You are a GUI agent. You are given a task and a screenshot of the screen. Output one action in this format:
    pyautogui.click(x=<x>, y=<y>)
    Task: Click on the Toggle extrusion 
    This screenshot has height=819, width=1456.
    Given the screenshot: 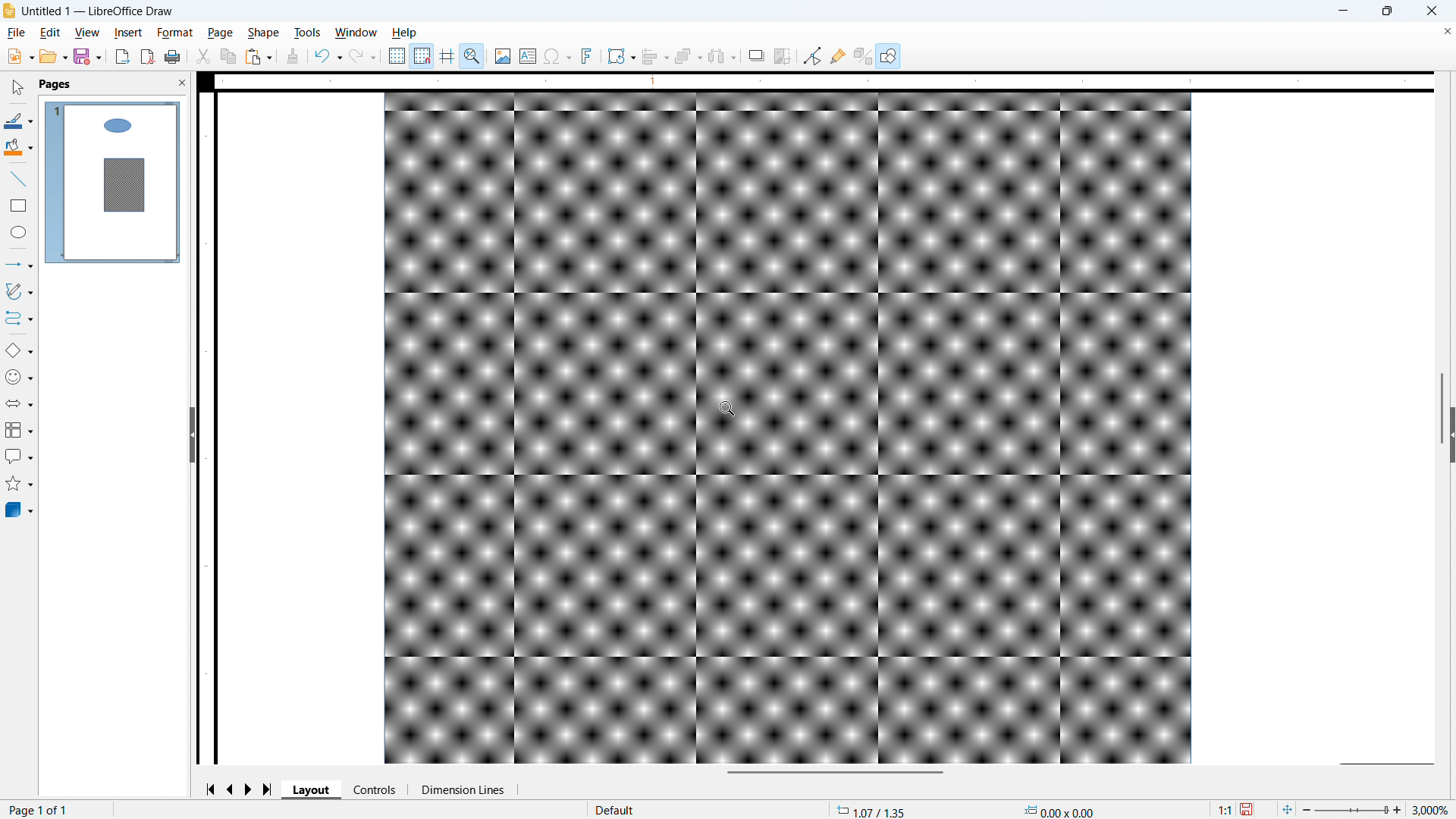 What is the action you would take?
    pyautogui.click(x=864, y=55)
    